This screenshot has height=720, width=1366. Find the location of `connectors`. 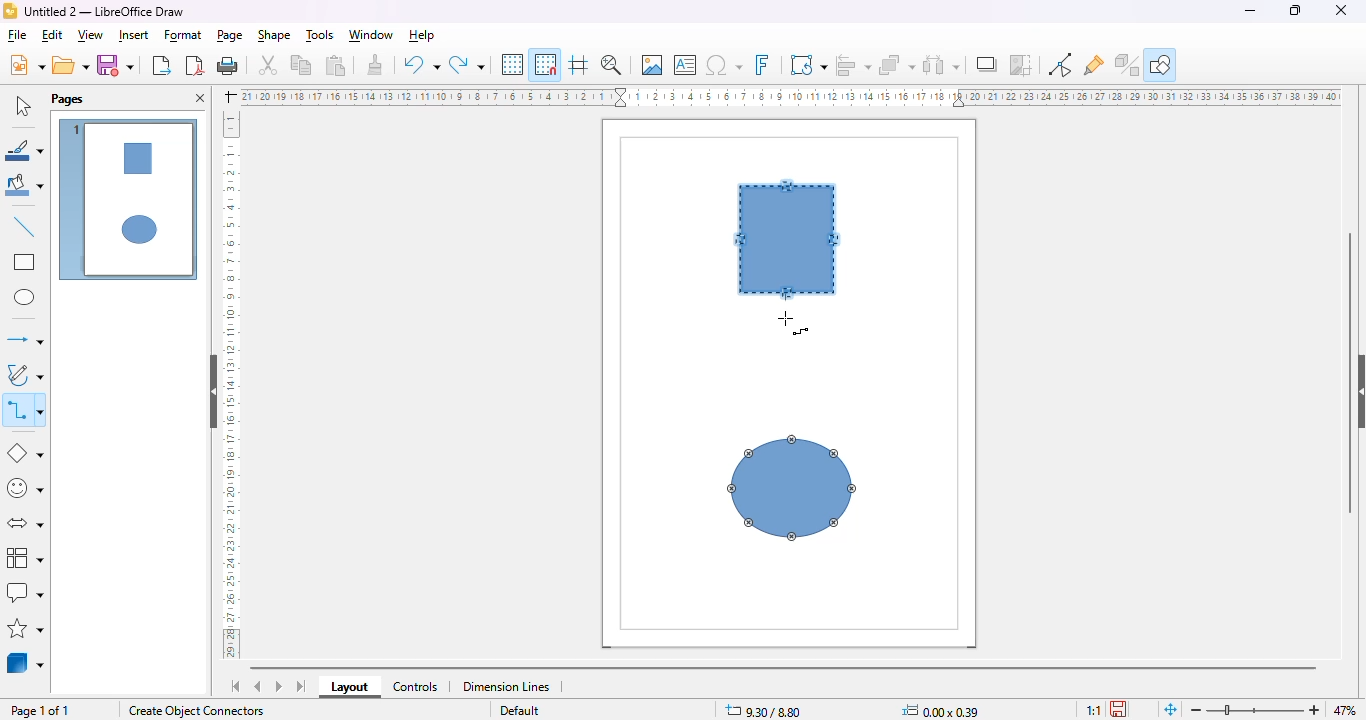

connectors is located at coordinates (26, 409).